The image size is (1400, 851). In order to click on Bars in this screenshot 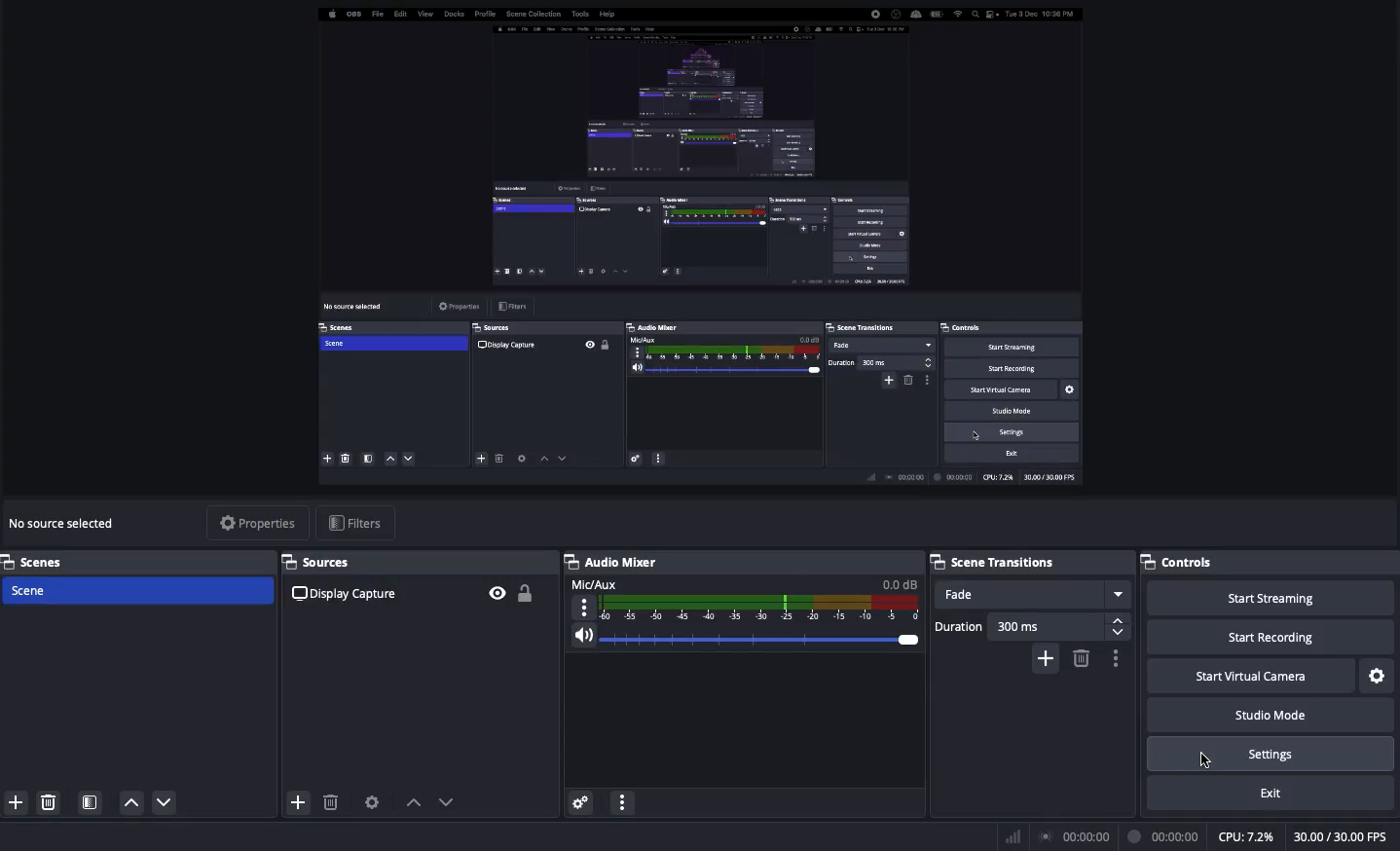, I will do `click(1014, 834)`.